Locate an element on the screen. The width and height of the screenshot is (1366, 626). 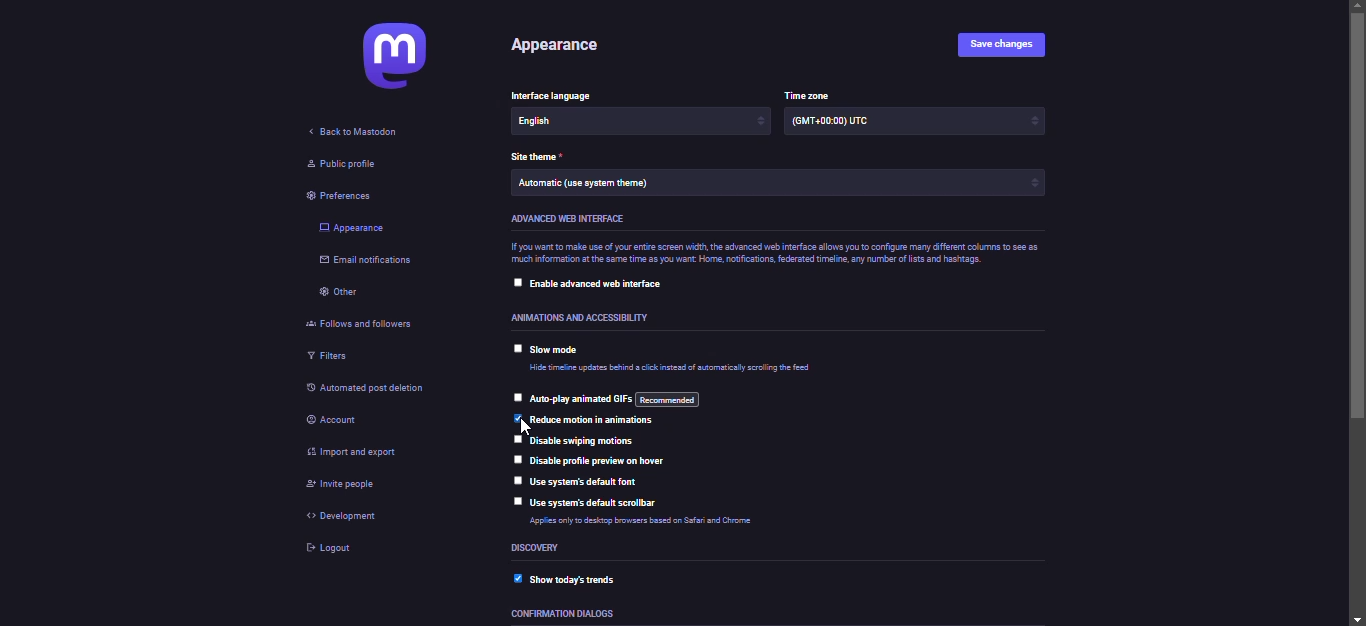
follows and followers is located at coordinates (375, 322).